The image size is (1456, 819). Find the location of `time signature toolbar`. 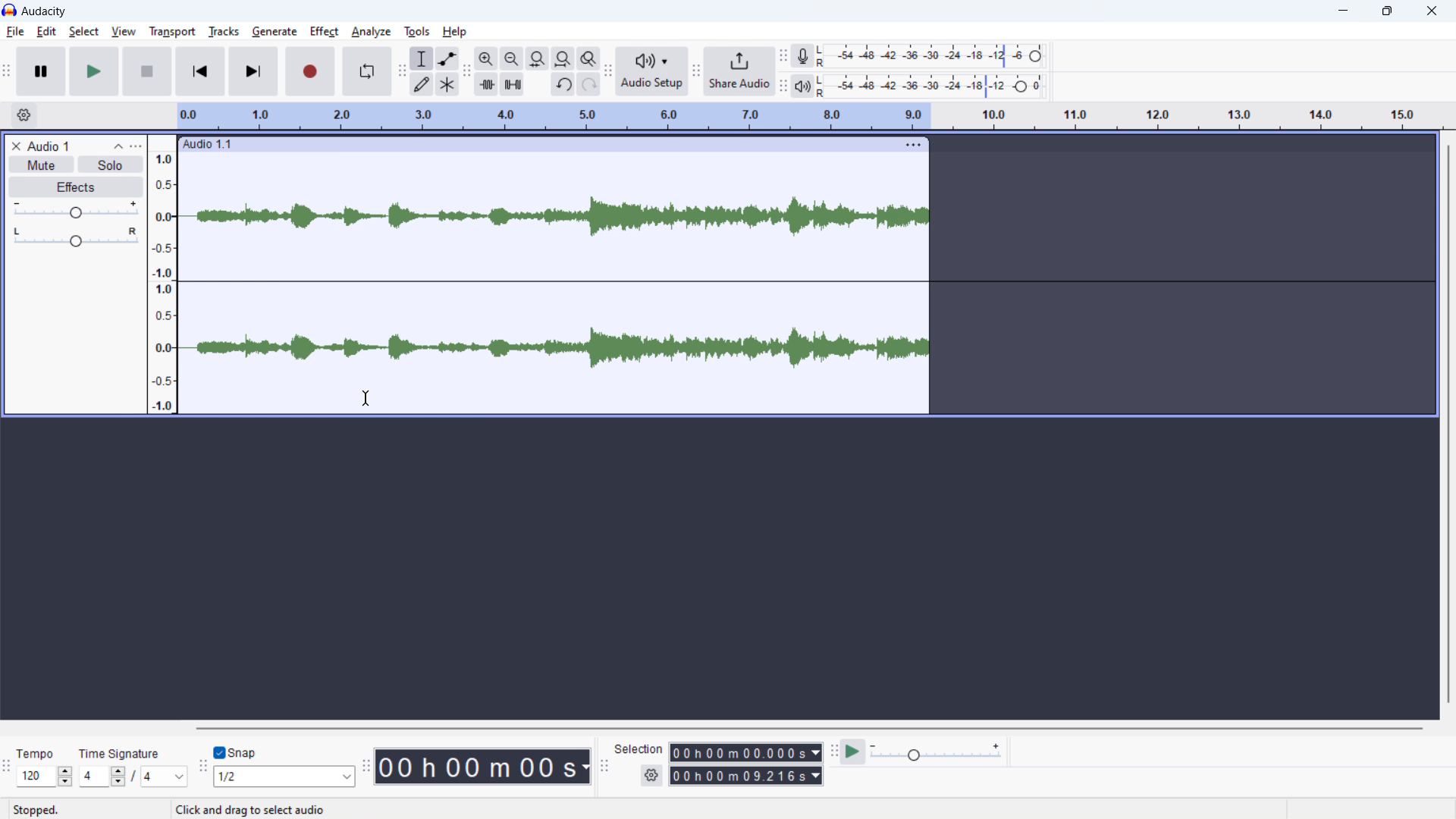

time signature toolbar is located at coordinates (7, 770).